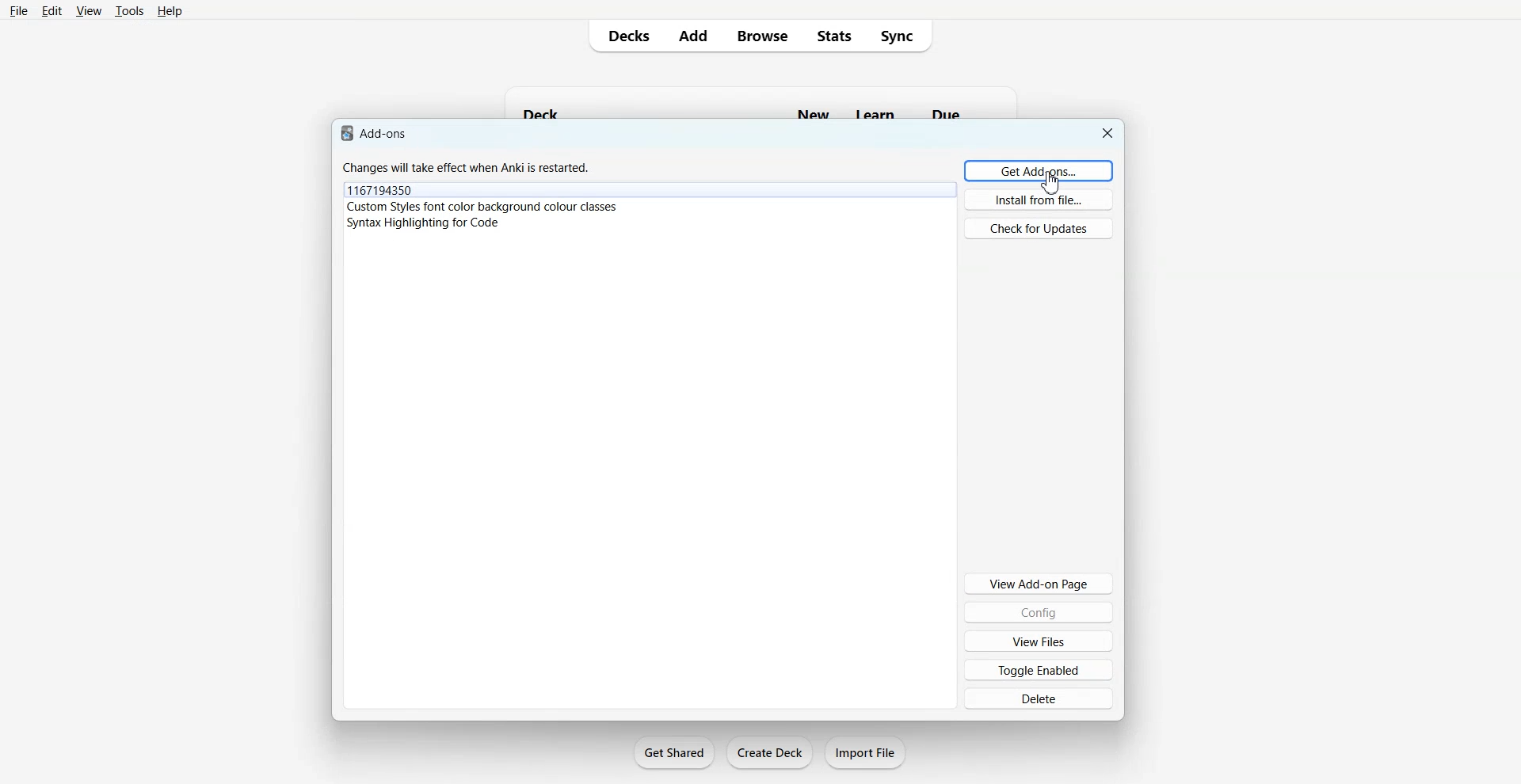  What do you see at coordinates (1039, 170) in the screenshot?
I see `Get Add ons` at bounding box center [1039, 170].